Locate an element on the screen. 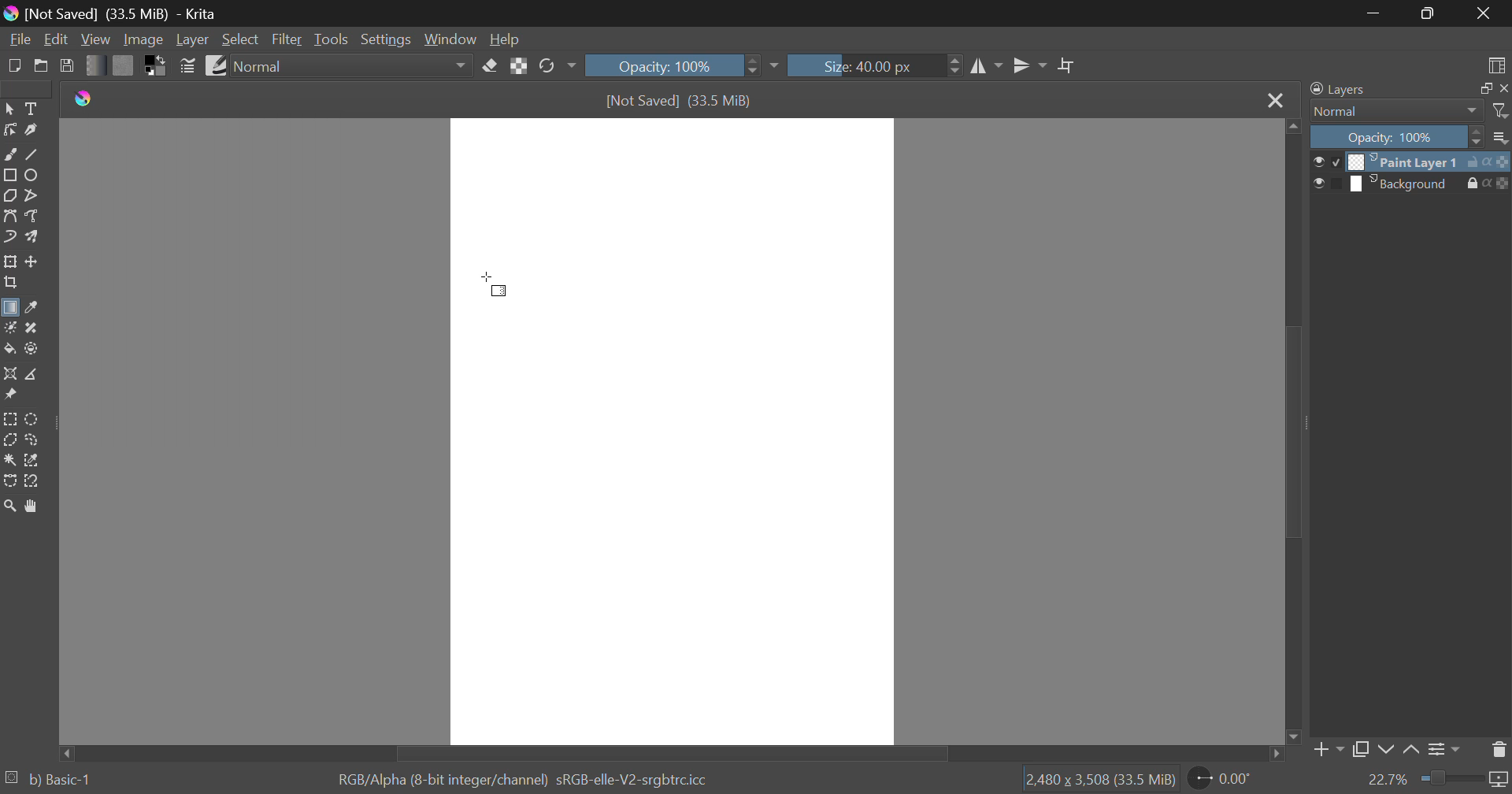 The height and width of the screenshot is (794, 1512). Opacity 100% is located at coordinates (1395, 137).